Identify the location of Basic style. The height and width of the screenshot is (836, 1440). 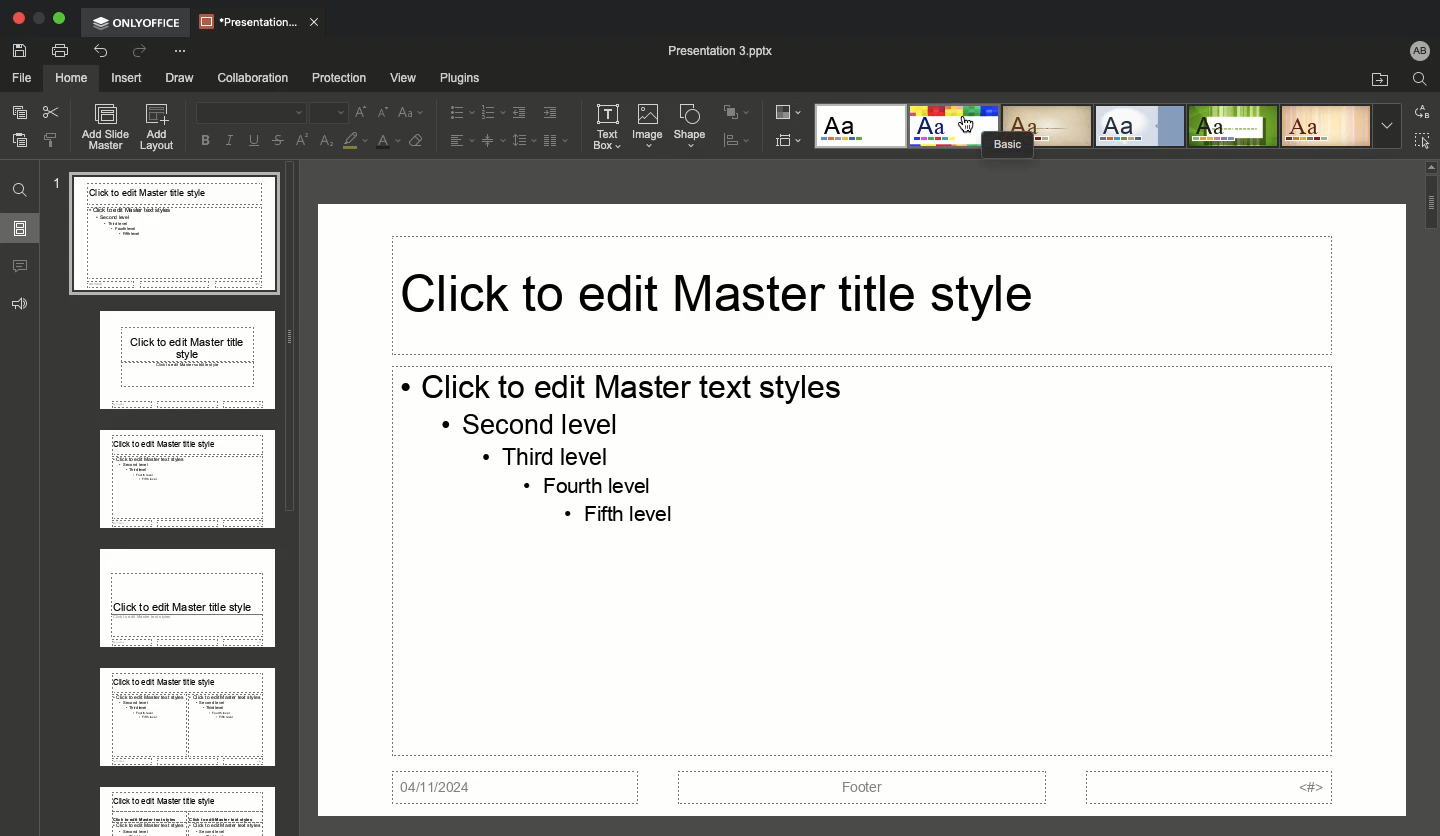
(946, 126).